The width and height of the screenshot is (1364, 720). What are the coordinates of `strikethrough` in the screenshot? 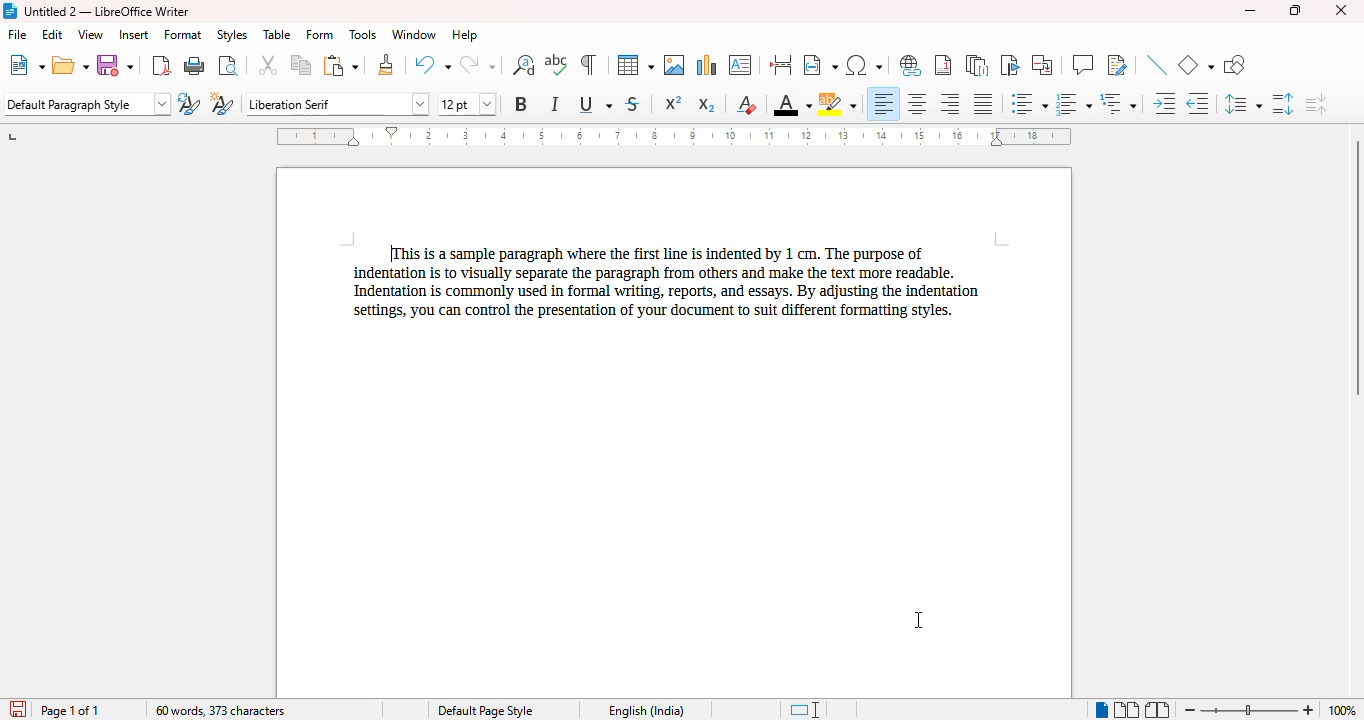 It's located at (633, 104).